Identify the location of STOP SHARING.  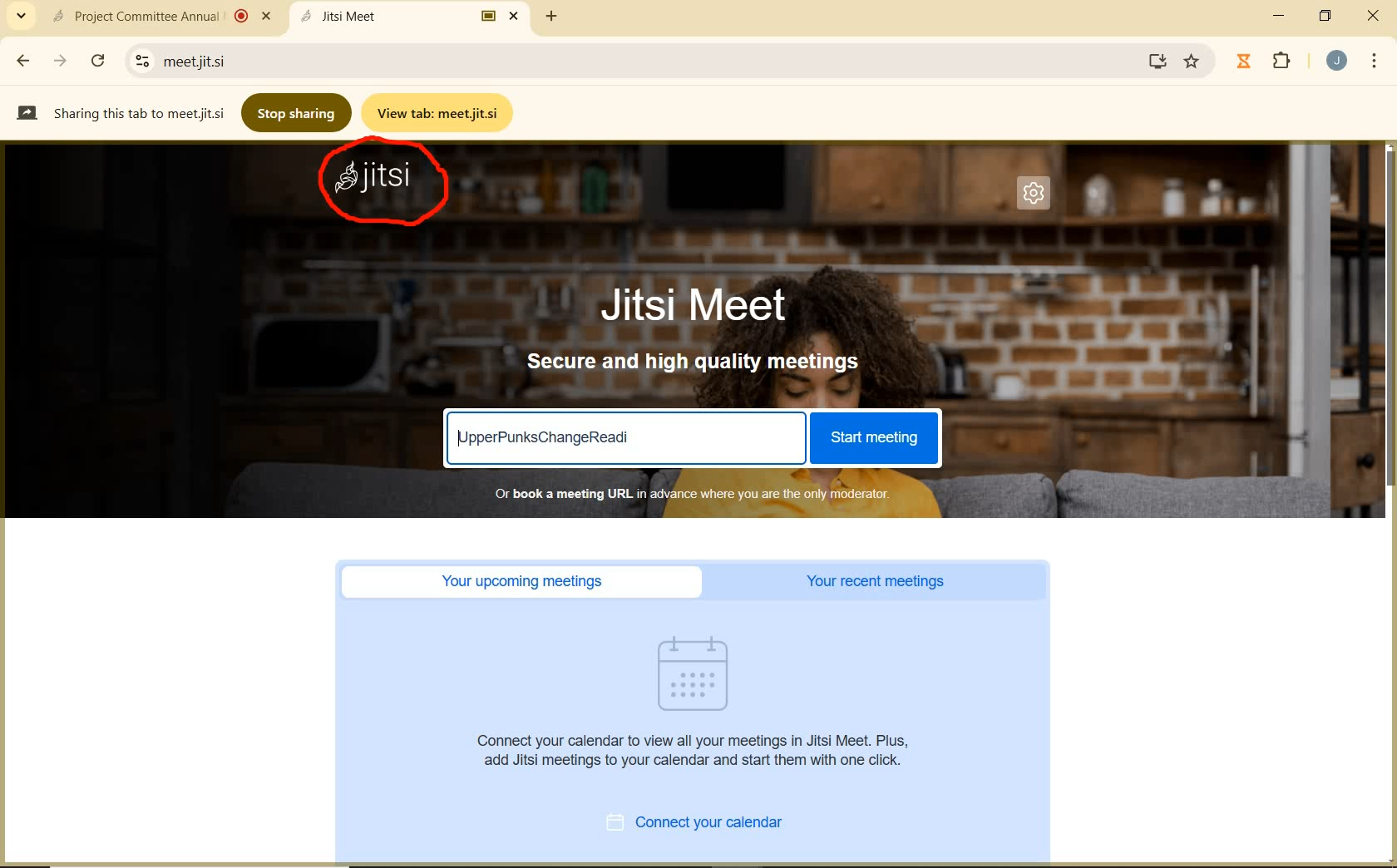
(298, 111).